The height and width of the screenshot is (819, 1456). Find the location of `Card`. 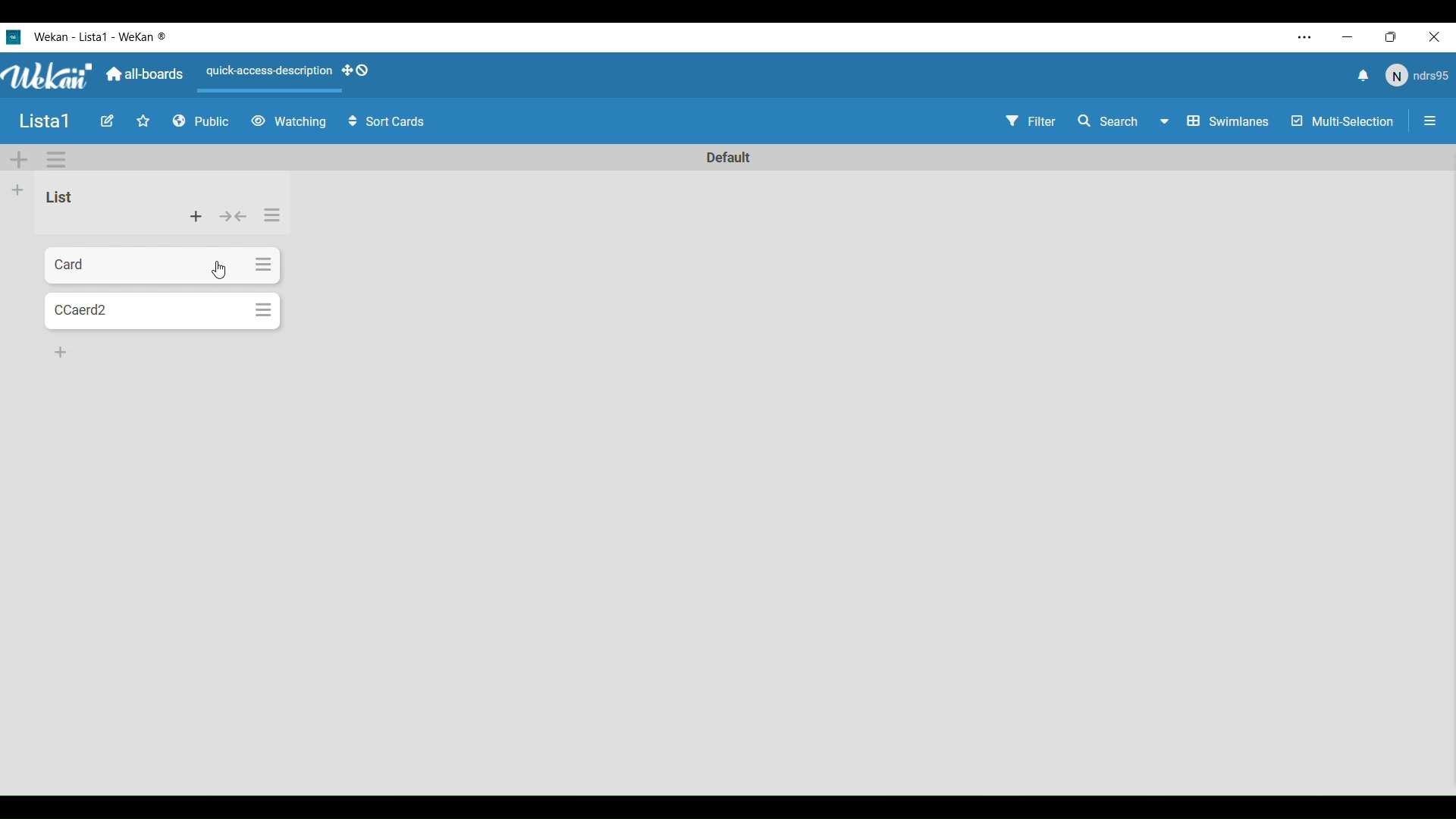

Card is located at coordinates (146, 265).